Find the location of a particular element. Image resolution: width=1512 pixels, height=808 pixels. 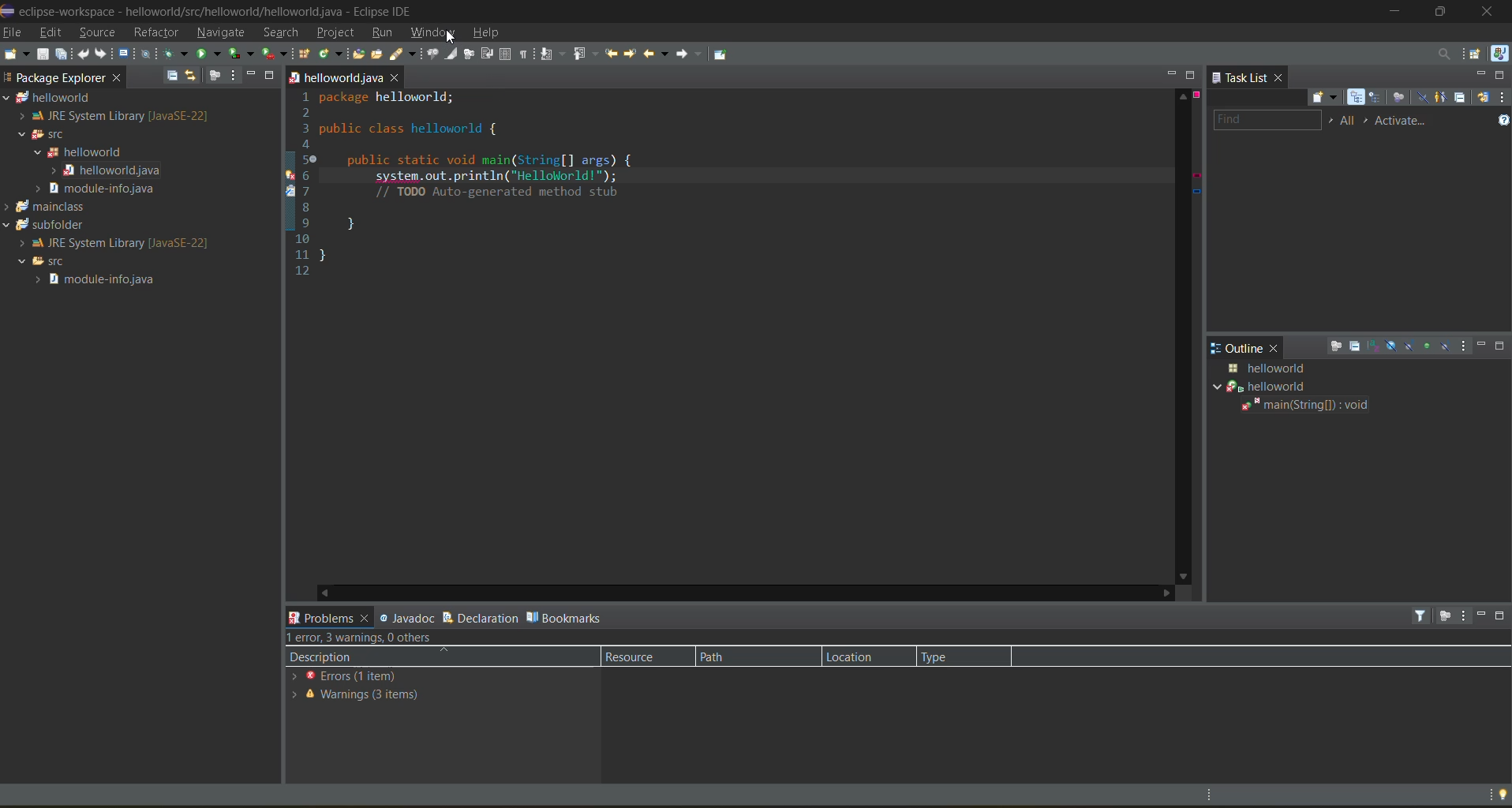

run last tool is located at coordinates (276, 54).